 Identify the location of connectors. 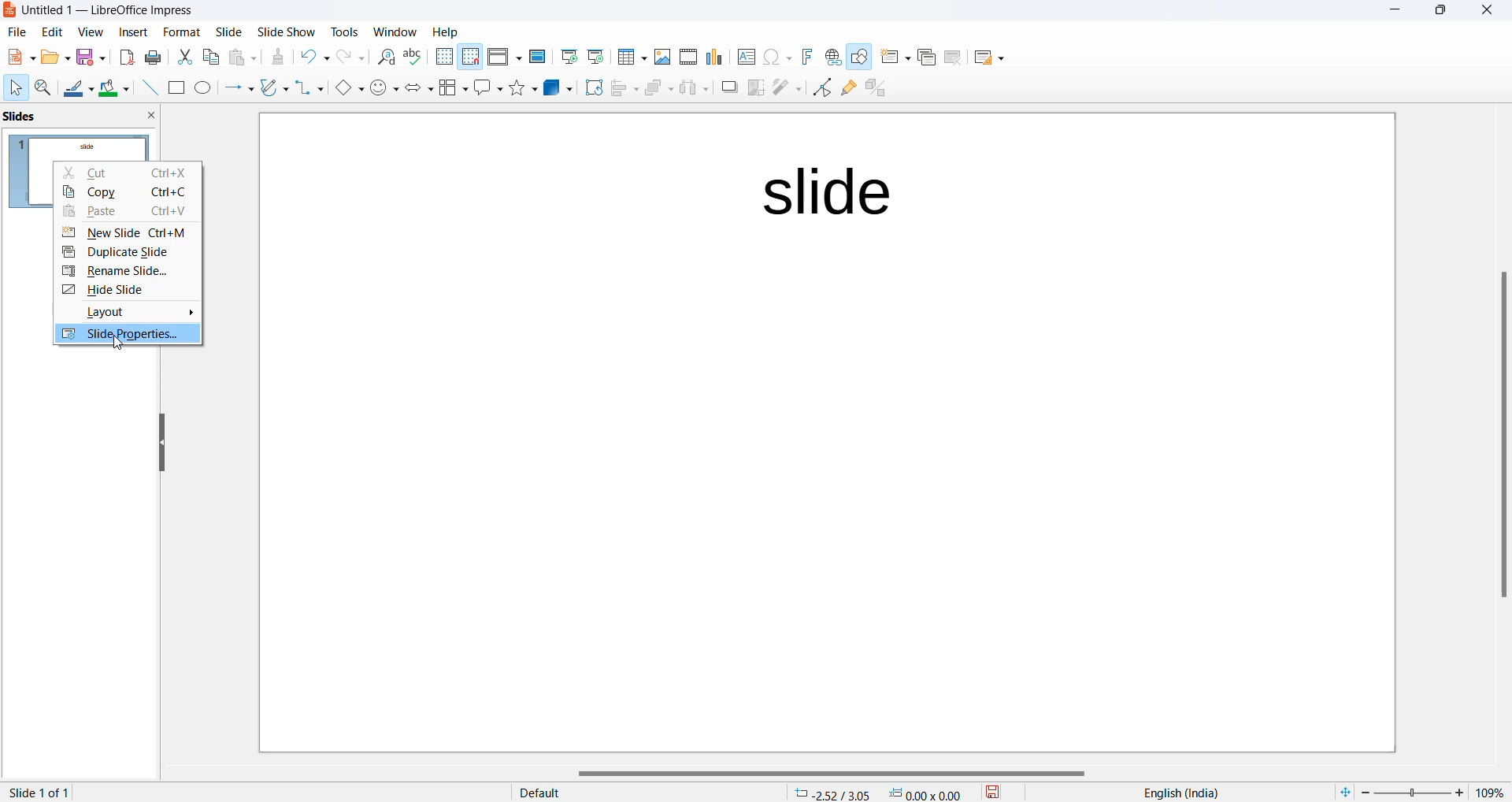
(310, 89).